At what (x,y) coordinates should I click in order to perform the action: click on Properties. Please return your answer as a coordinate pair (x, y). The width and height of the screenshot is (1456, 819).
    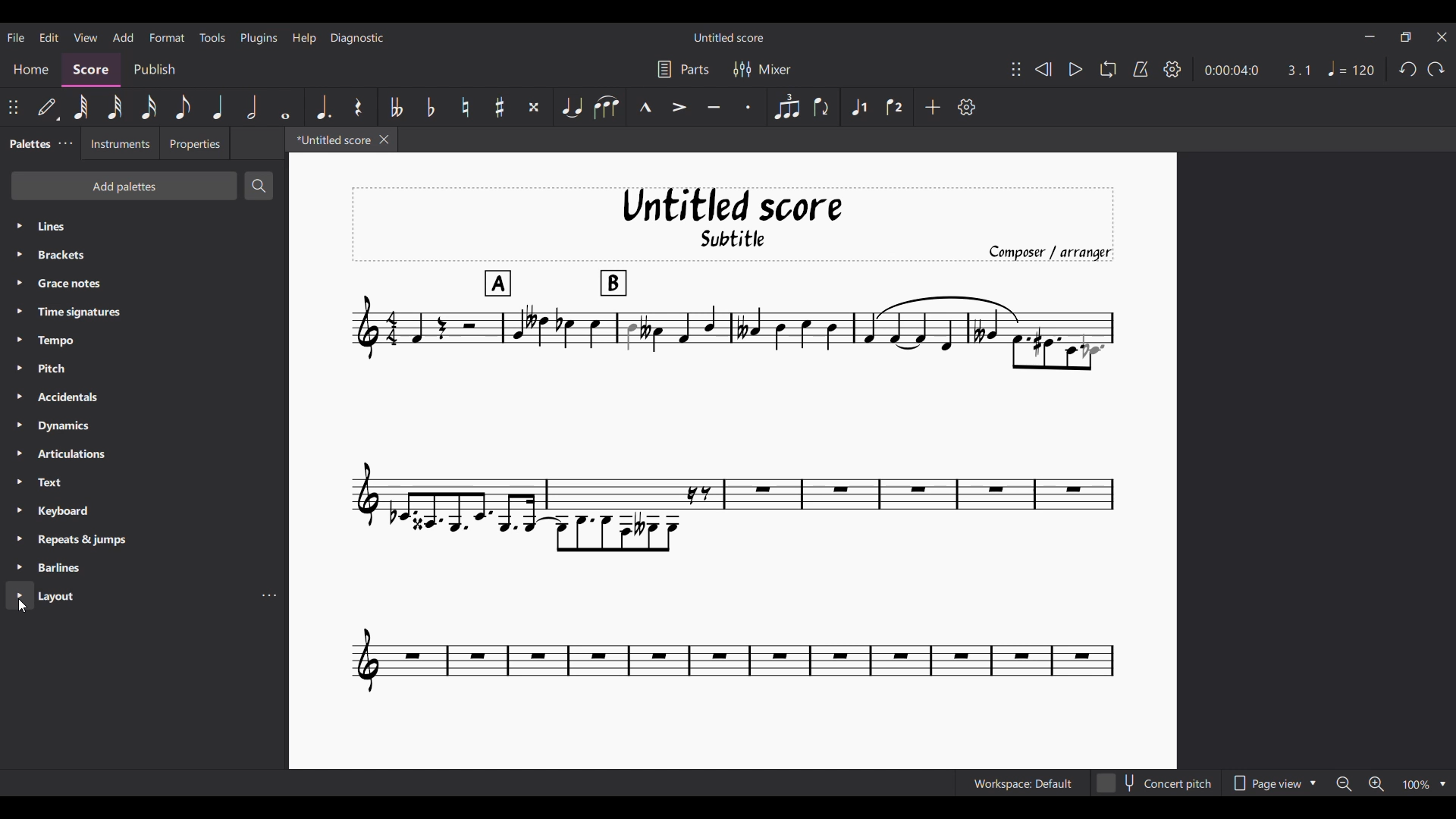
    Looking at the image, I should click on (195, 143).